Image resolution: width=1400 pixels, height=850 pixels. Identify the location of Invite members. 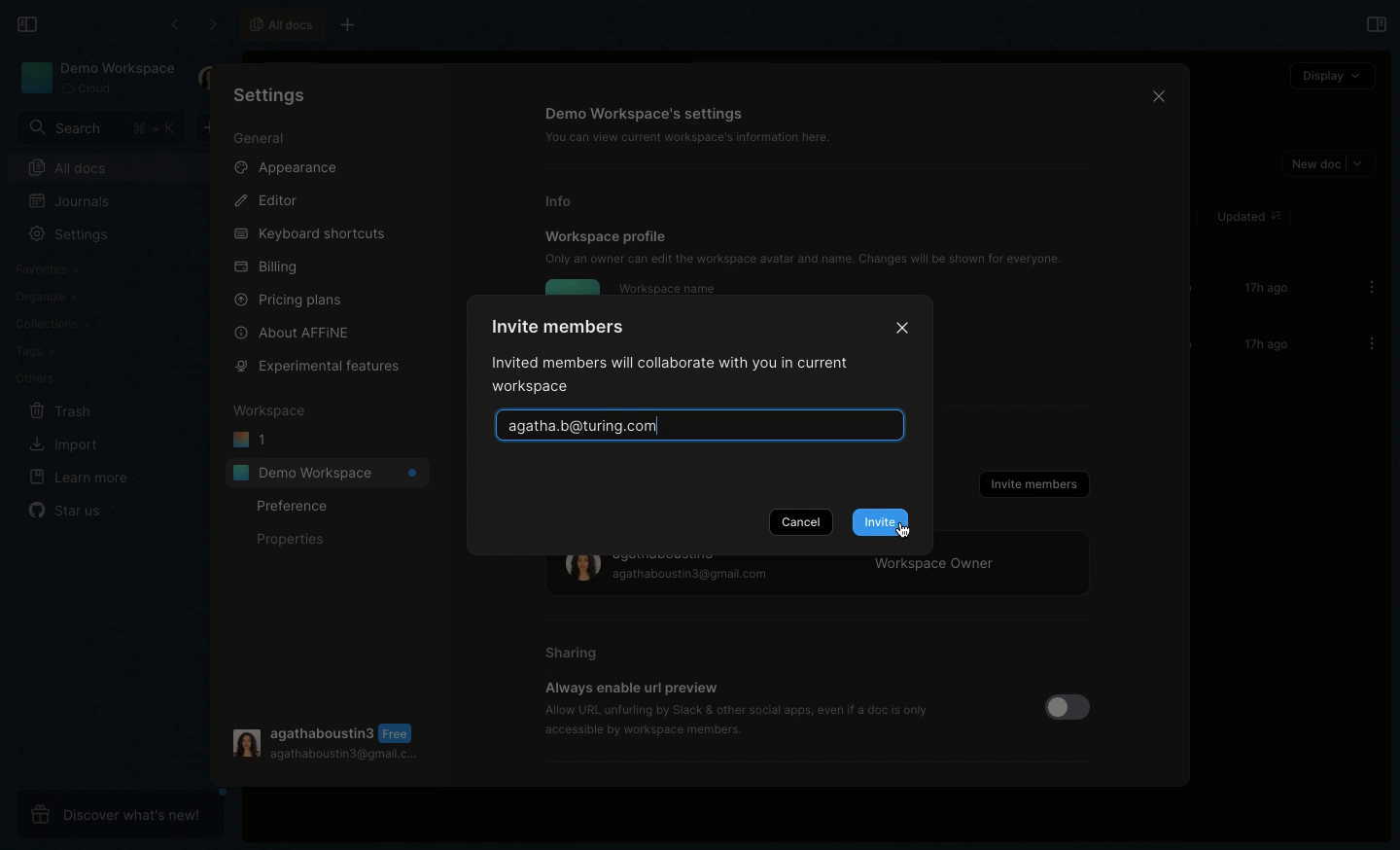
(554, 328).